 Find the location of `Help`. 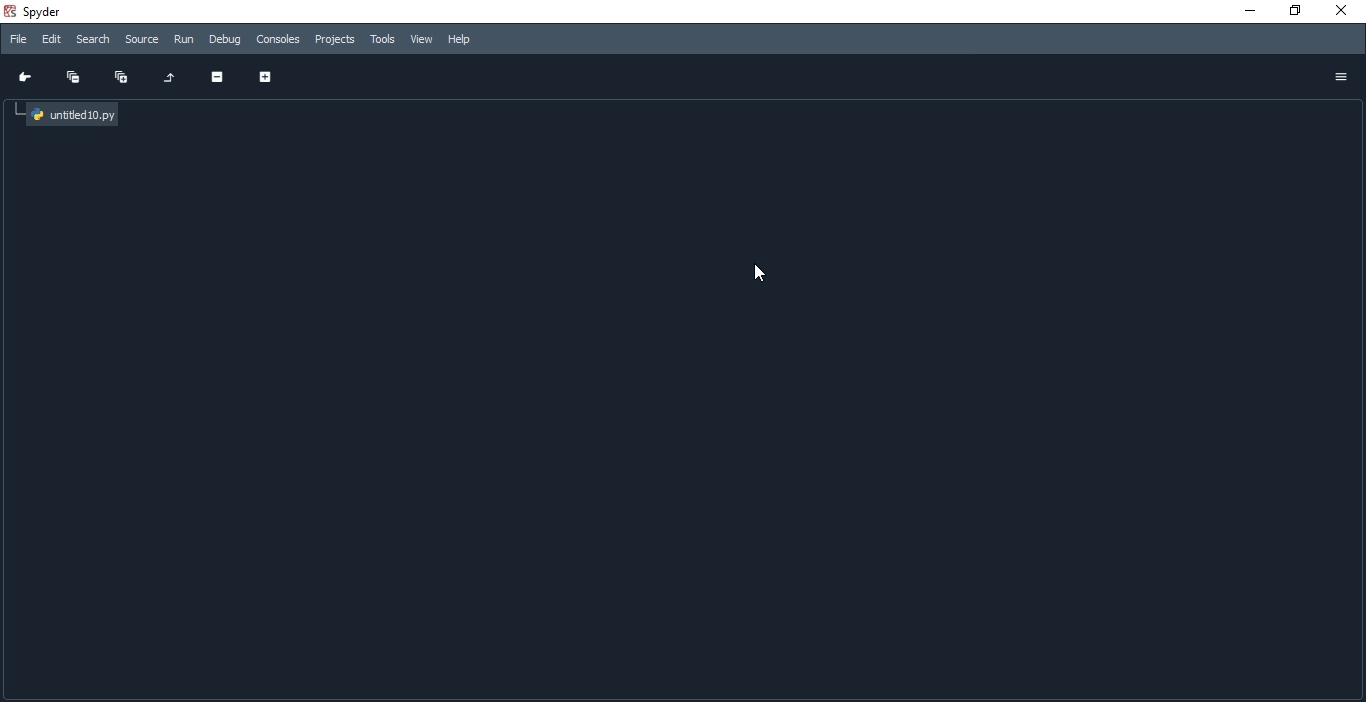

Help is located at coordinates (464, 40).